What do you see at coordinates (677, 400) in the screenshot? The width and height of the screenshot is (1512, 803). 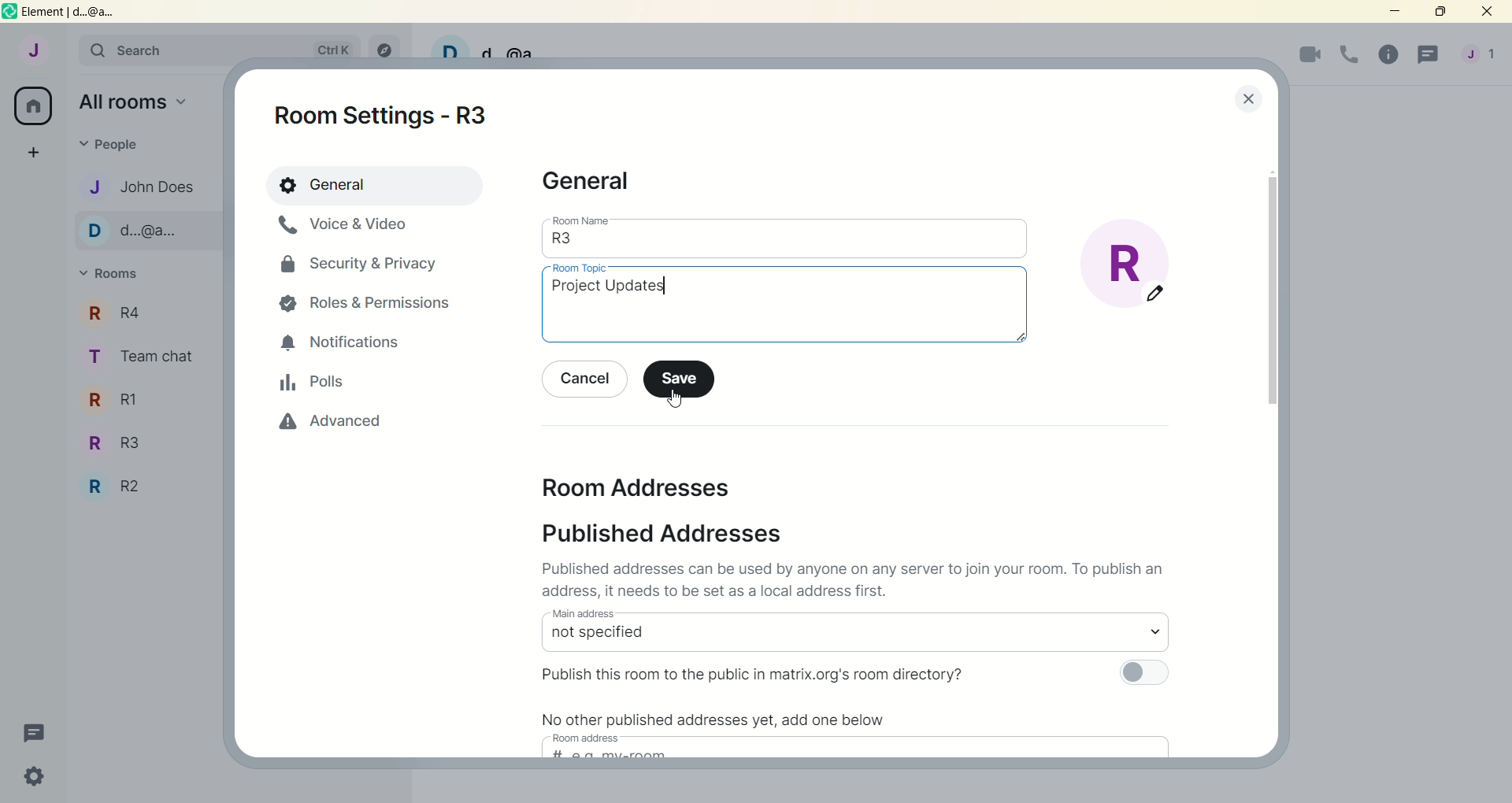 I see `cursor` at bounding box center [677, 400].